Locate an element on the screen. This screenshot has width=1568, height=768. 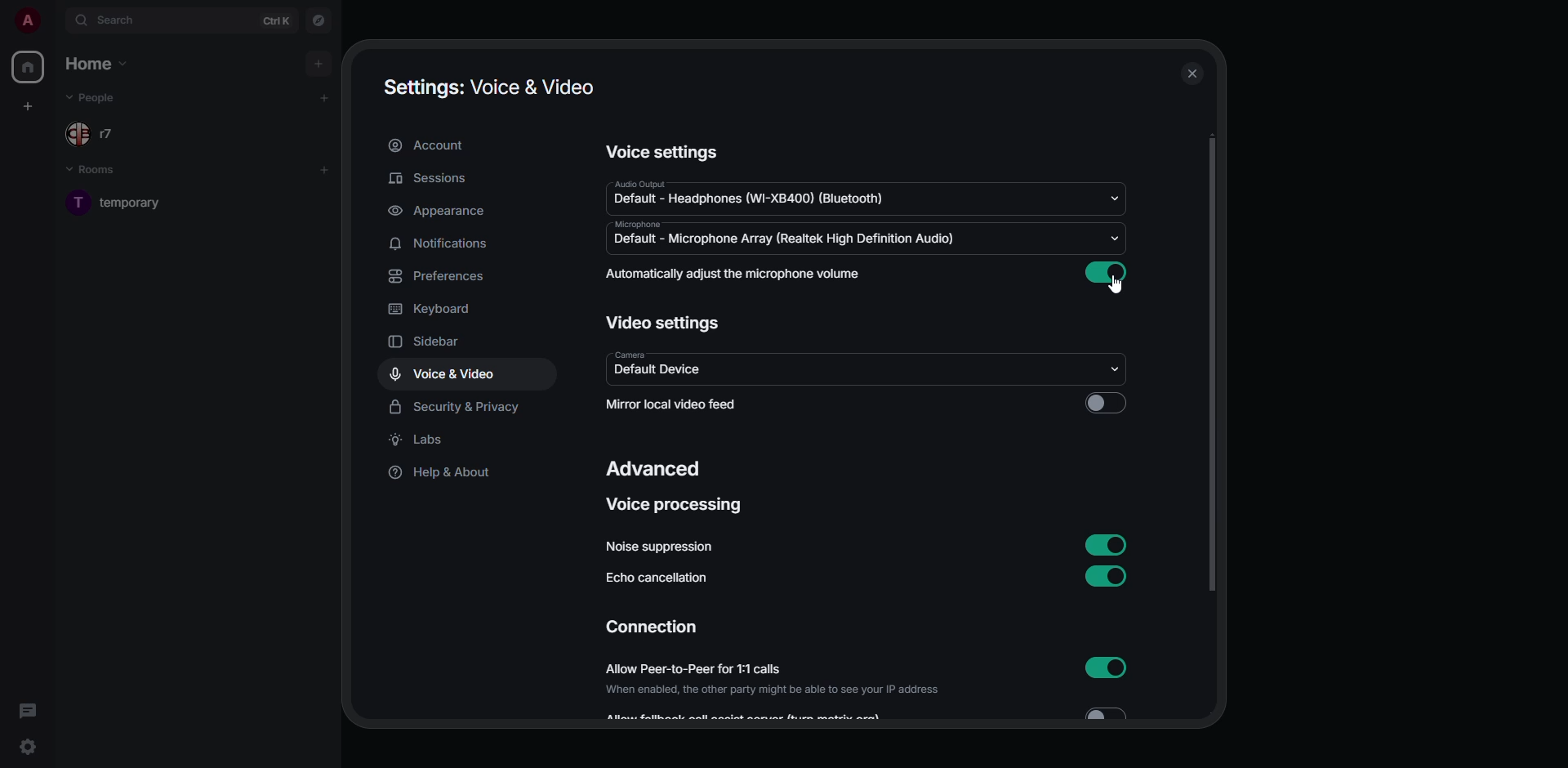
navigator is located at coordinates (321, 21).